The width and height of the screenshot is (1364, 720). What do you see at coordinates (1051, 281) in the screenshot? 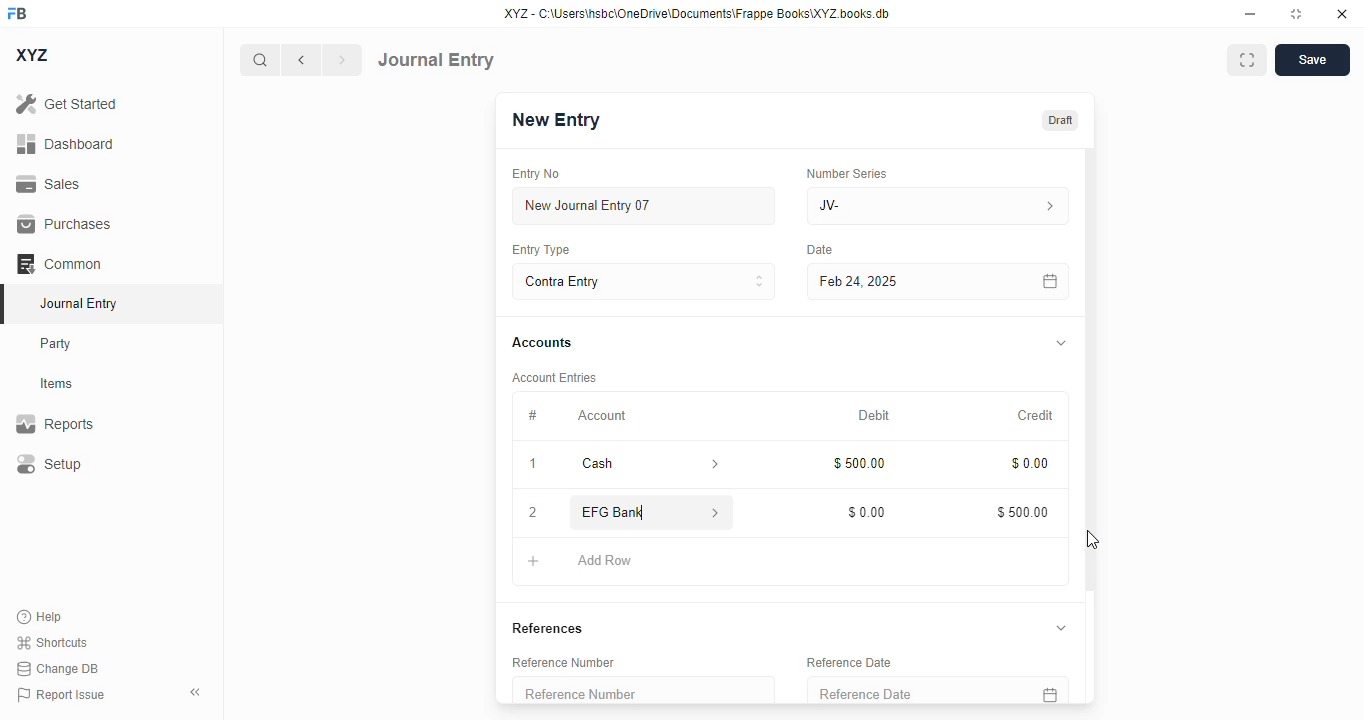
I see `calendar icon` at bounding box center [1051, 281].